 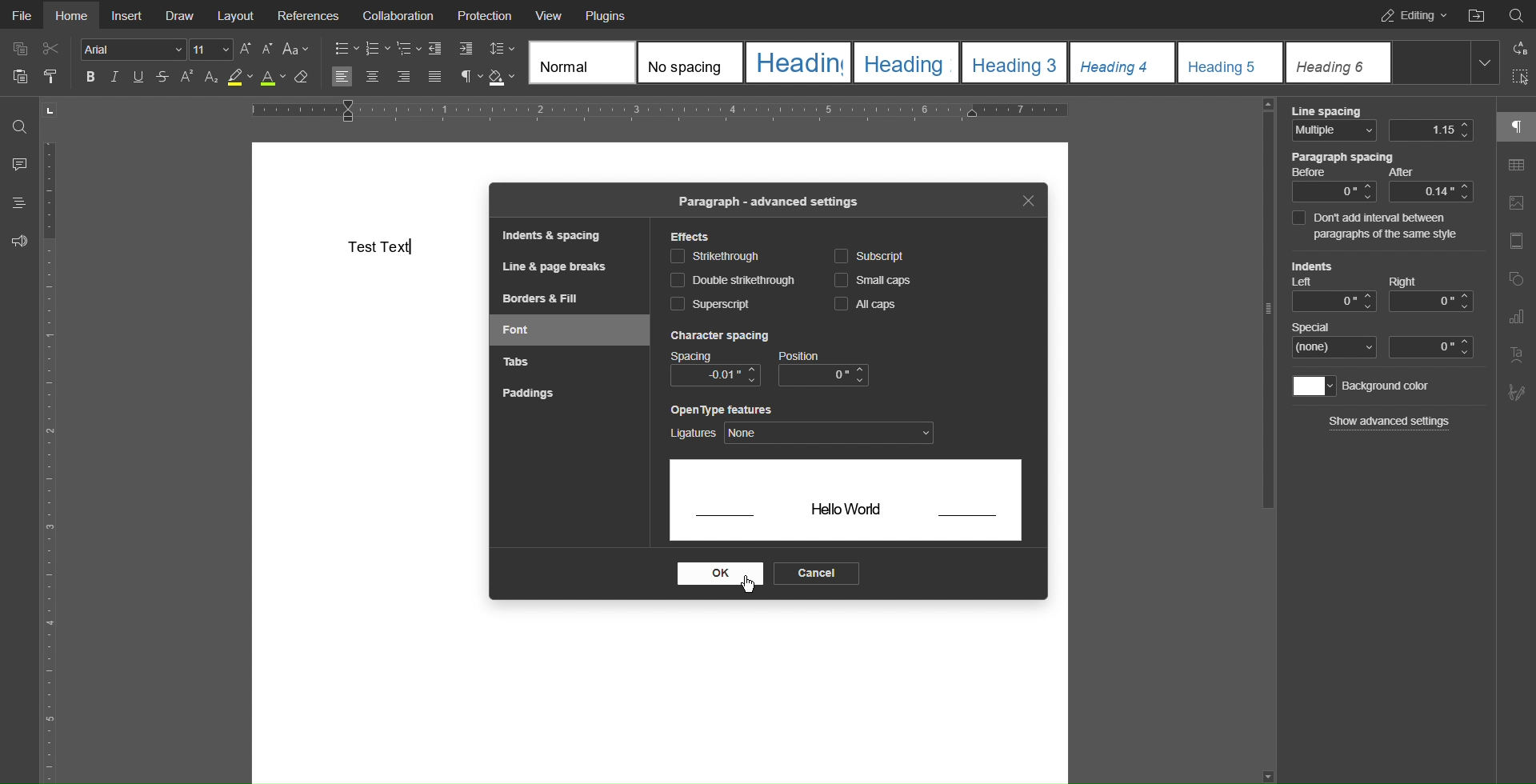 What do you see at coordinates (35, 66) in the screenshot?
I see `Cut Copy Paste Options` at bounding box center [35, 66].